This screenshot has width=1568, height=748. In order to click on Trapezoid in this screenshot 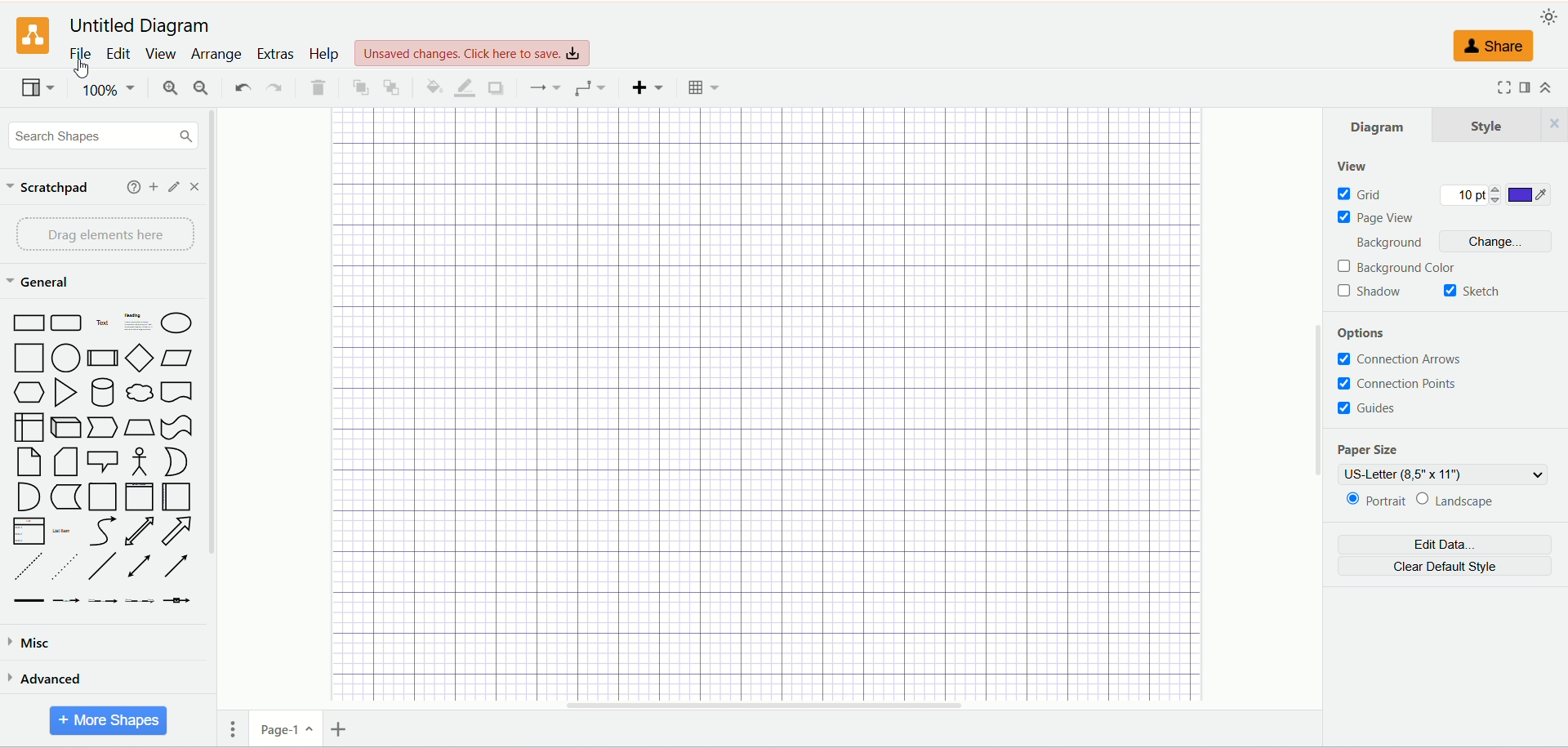, I will do `click(139, 428)`.